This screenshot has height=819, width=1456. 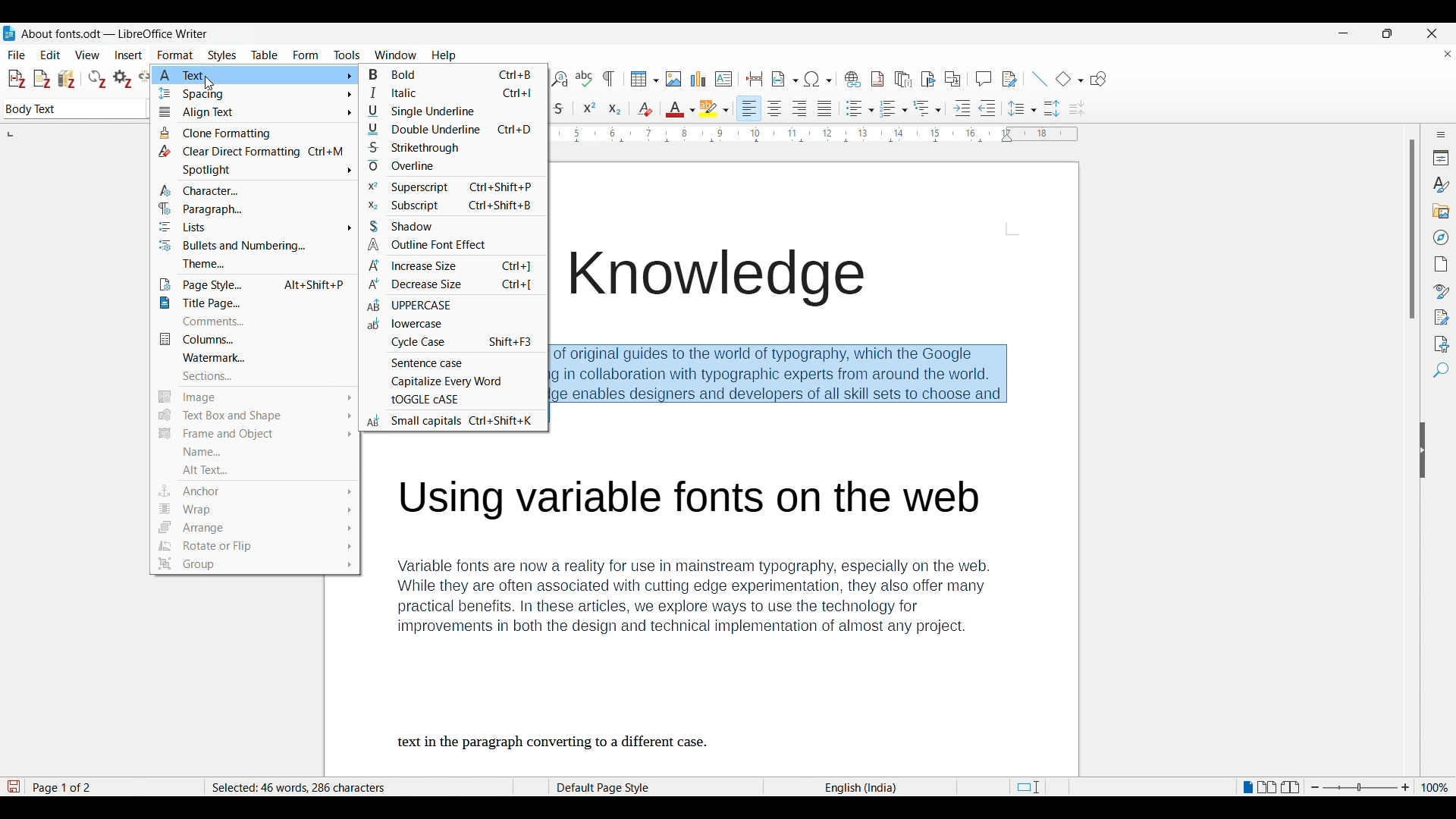 I want to click on Close interface, so click(x=1432, y=33).